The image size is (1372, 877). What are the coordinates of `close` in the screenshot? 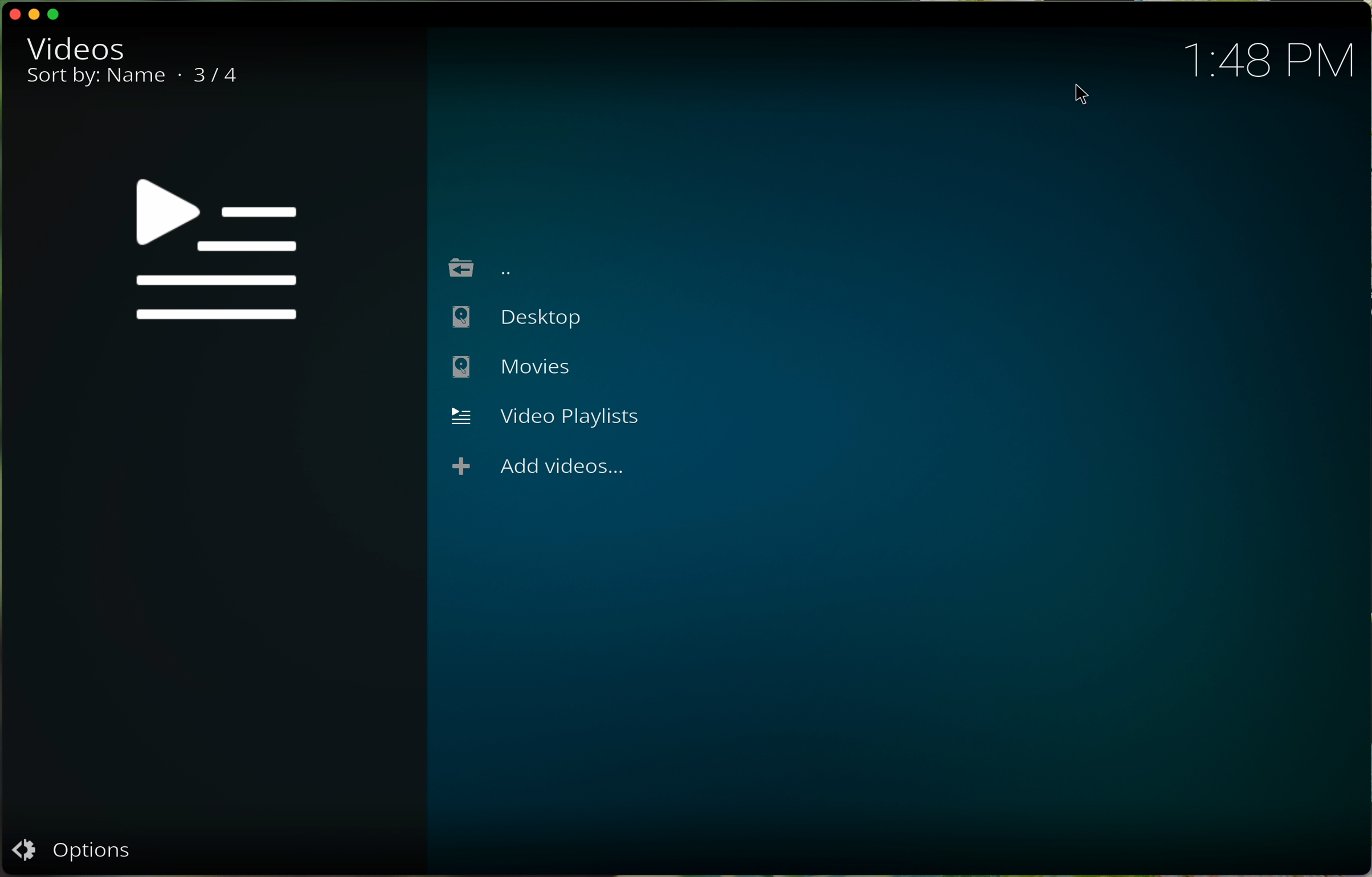 It's located at (12, 14).